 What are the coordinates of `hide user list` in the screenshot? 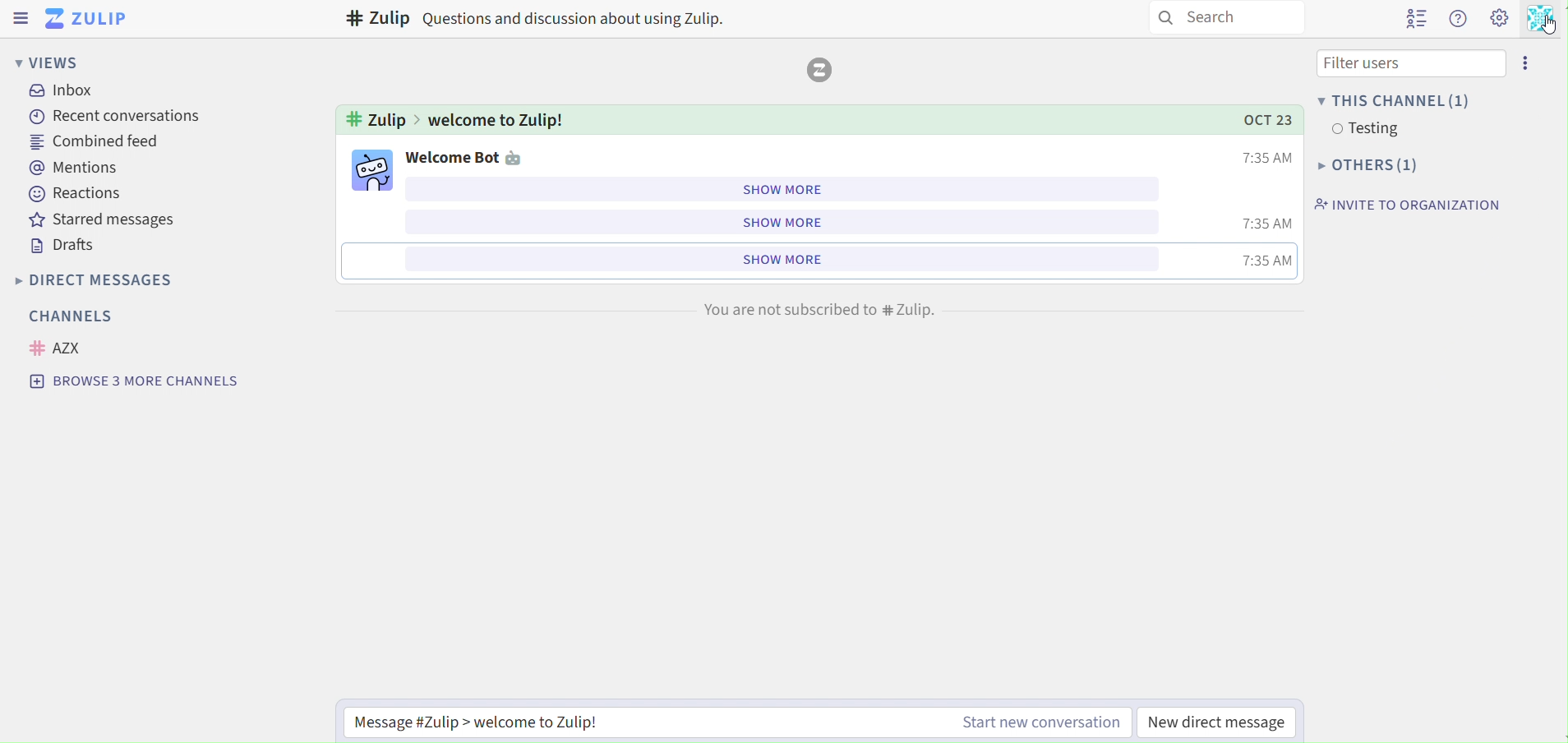 It's located at (1412, 20).